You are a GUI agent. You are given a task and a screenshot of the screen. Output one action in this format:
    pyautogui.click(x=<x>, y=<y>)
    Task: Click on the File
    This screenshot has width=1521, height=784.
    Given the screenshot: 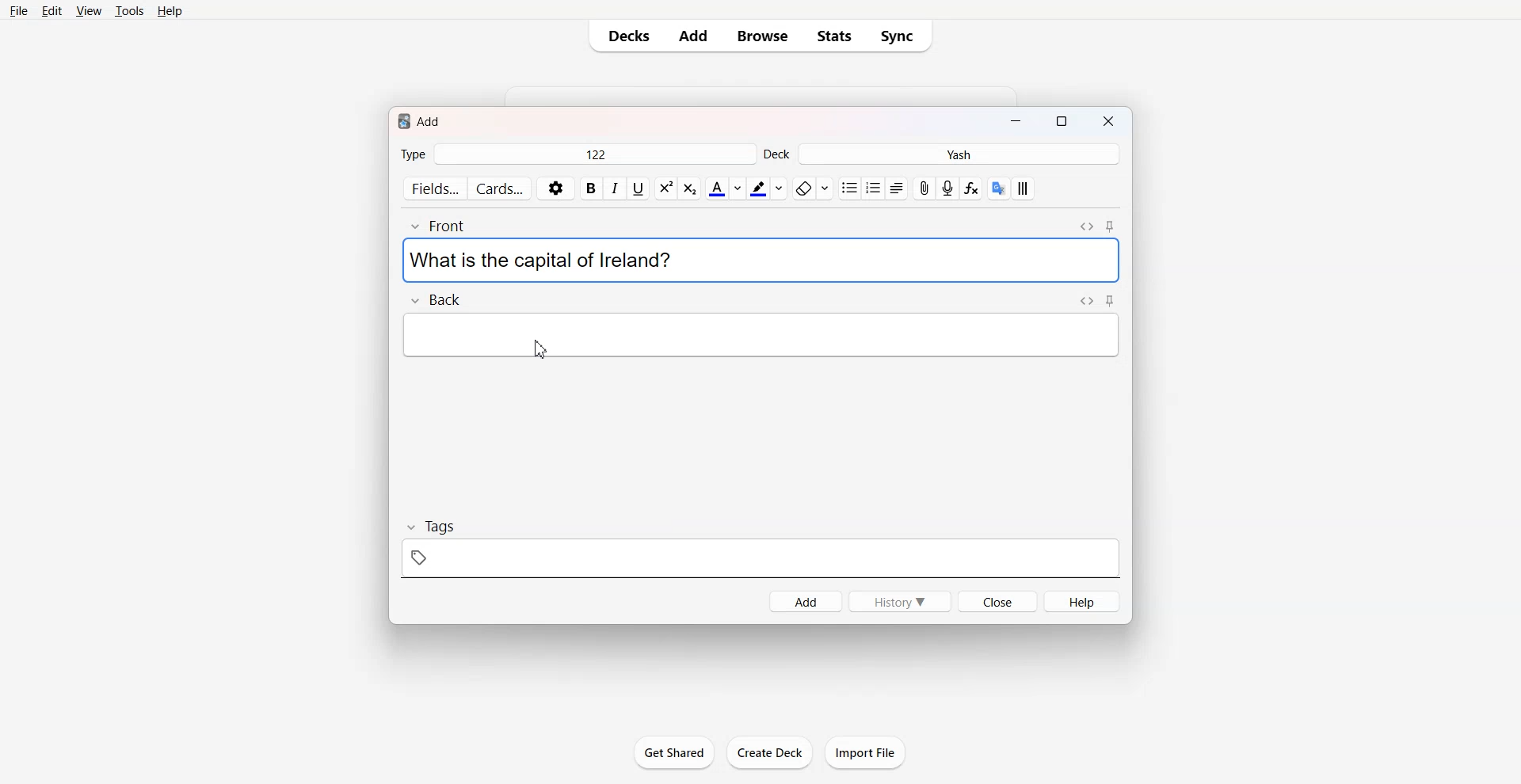 What is the action you would take?
    pyautogui.click(x=19, y=11)
    